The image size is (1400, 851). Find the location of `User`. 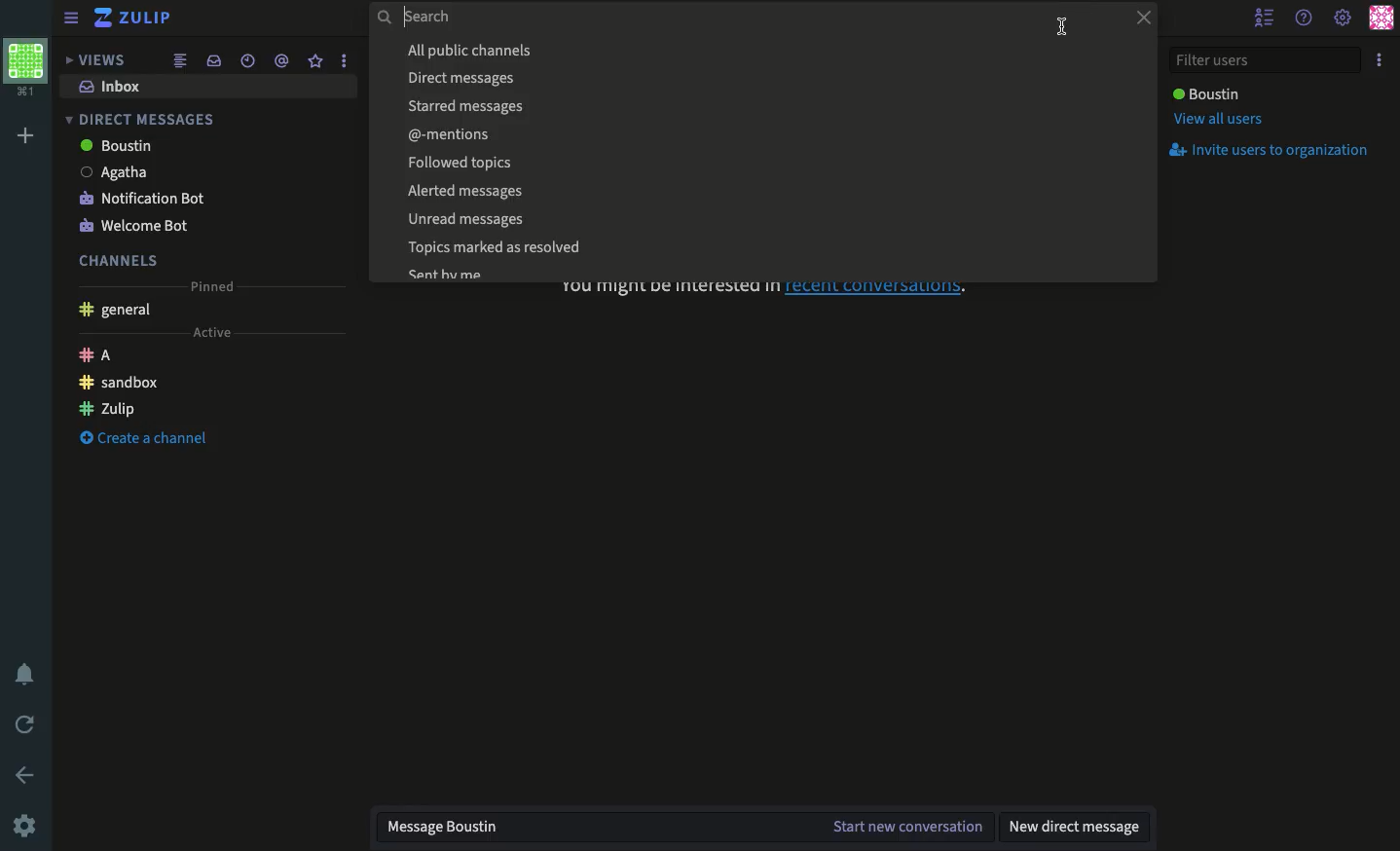

User is located at coordinates (1205, 93).